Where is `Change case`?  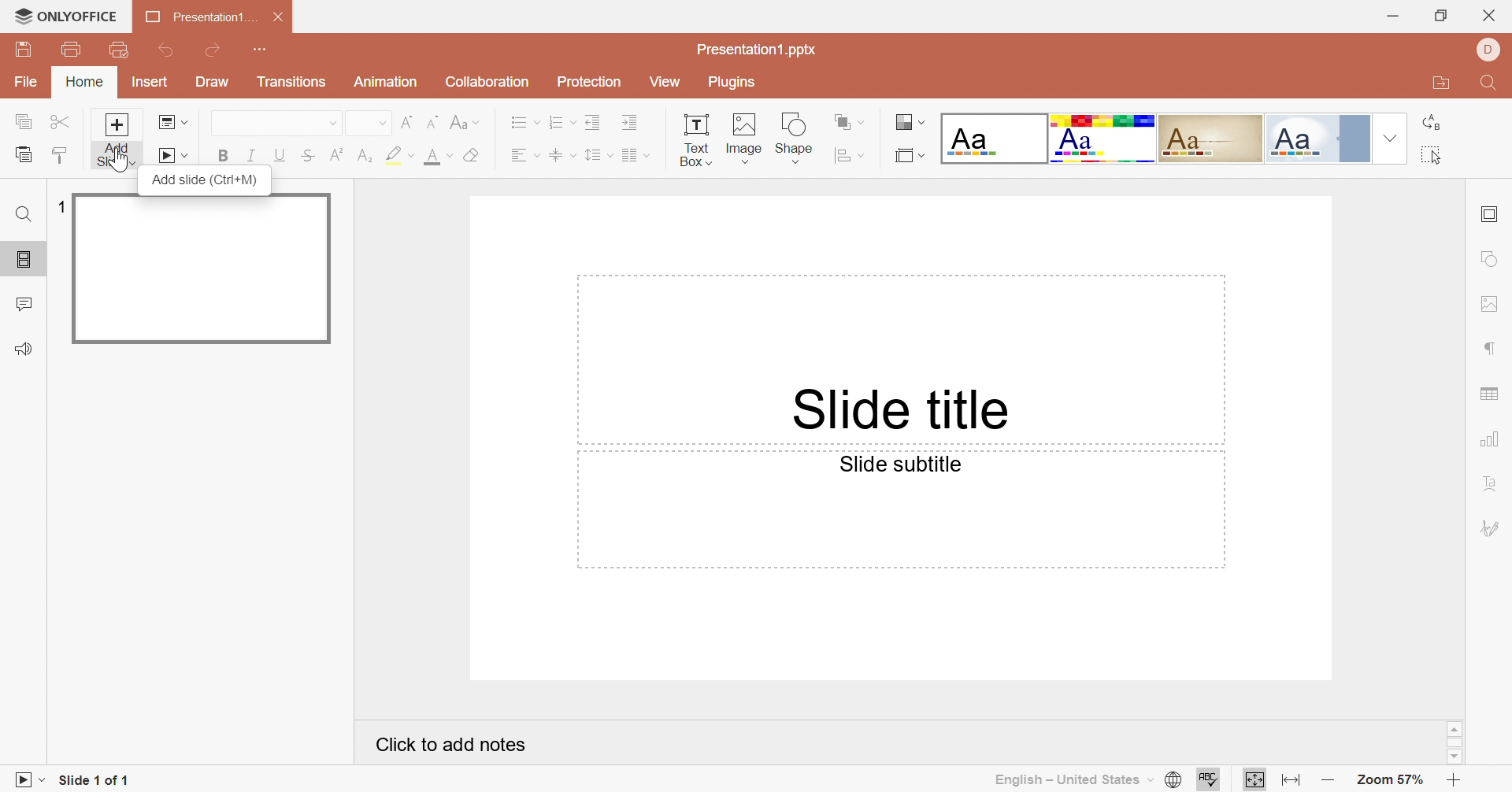
Change case is located at coordinates (461, 120).